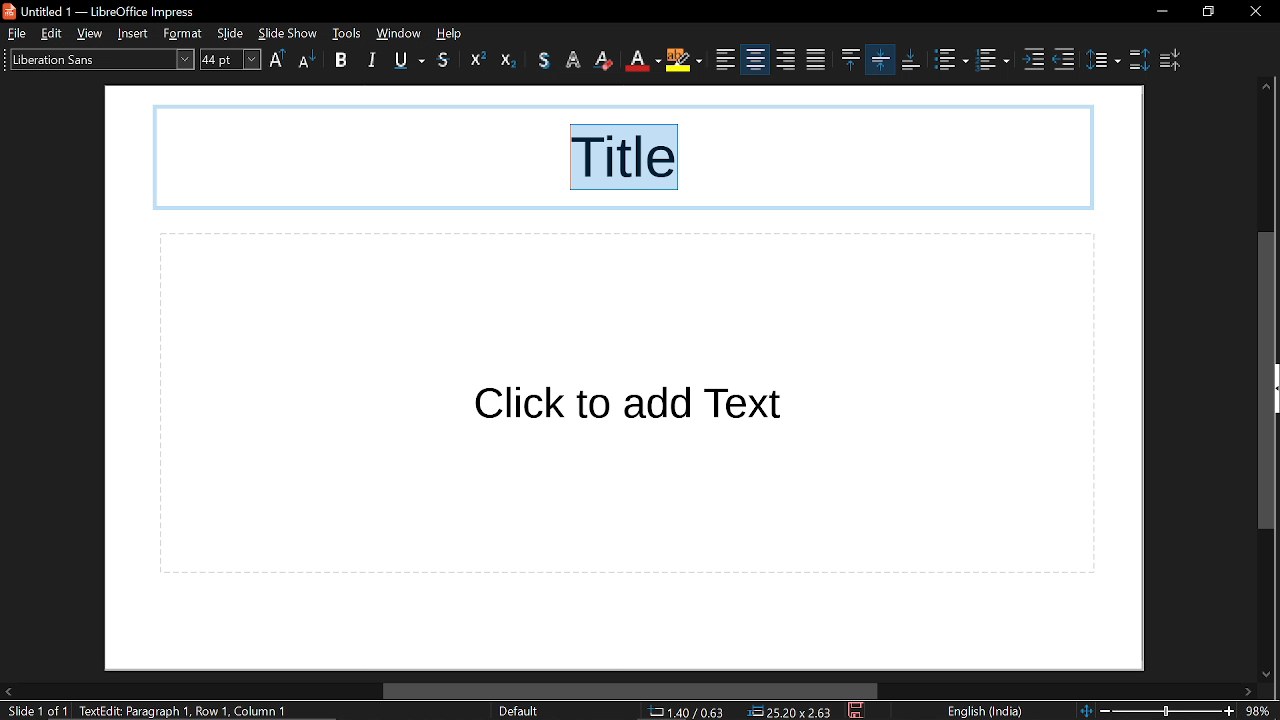 This screenshot has height=720, width=1280. Describe the element at coordinates (950, 60) in the screenshot. I see `toggle unordered list` at that location.